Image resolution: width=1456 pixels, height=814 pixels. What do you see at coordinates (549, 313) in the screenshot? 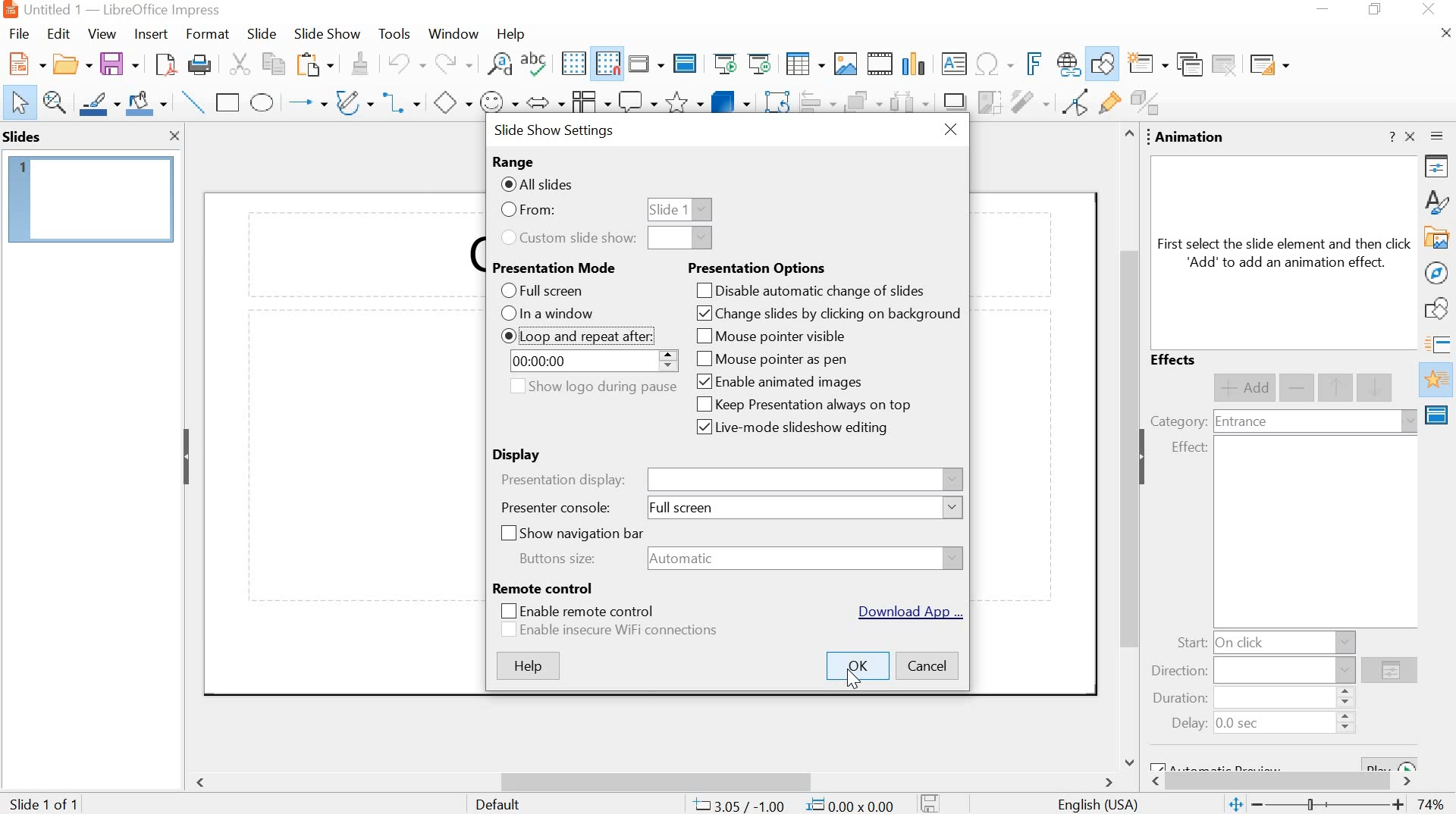
I see `in a window` at bounding box center [549, 313].